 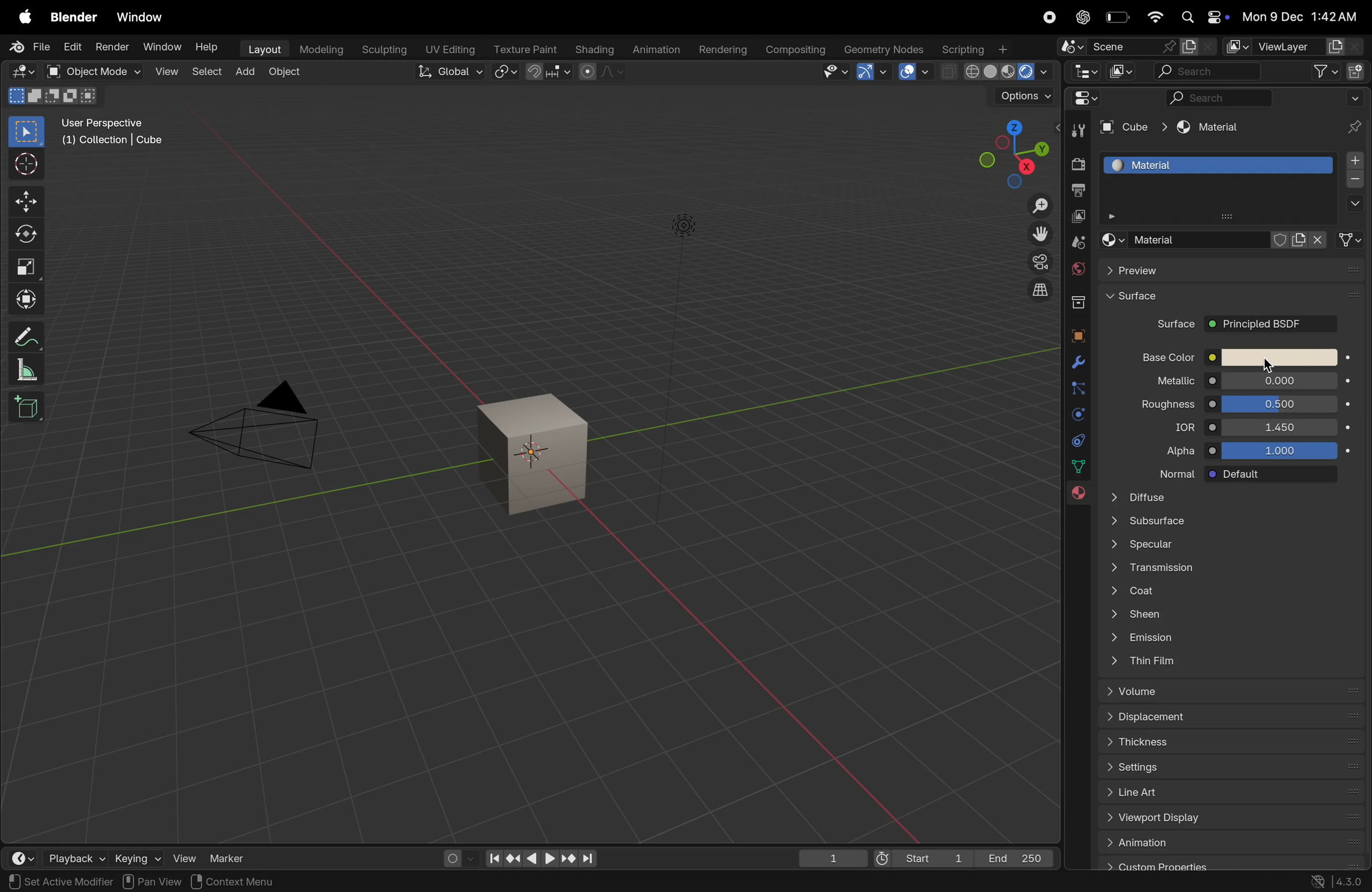 What do you see at coordinates (1227, 640) in the screenshot?
I see `emmision` at bounding box center [1227, 640].